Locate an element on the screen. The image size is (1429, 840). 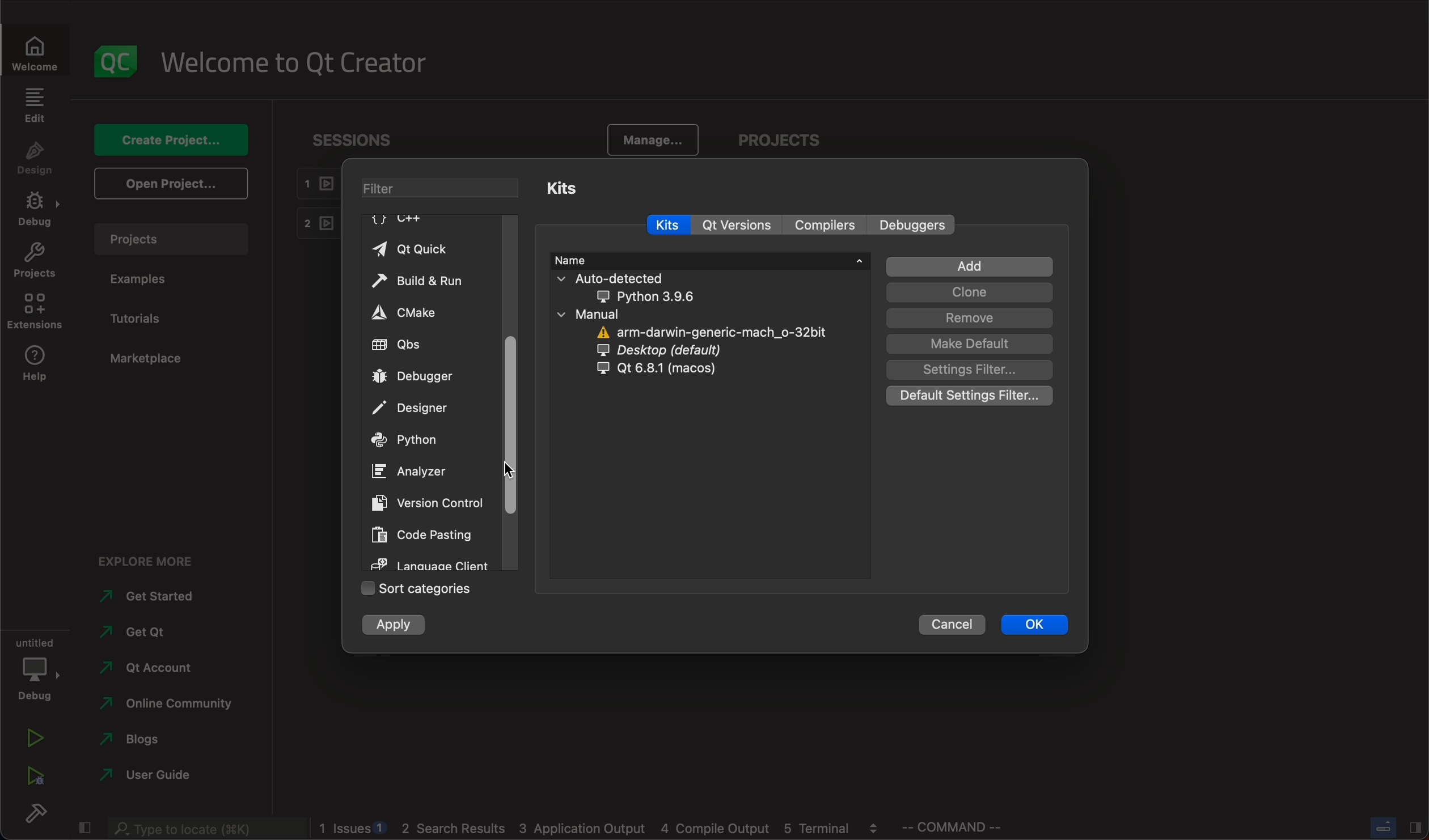
build and run is located at coordinates (425, 278).